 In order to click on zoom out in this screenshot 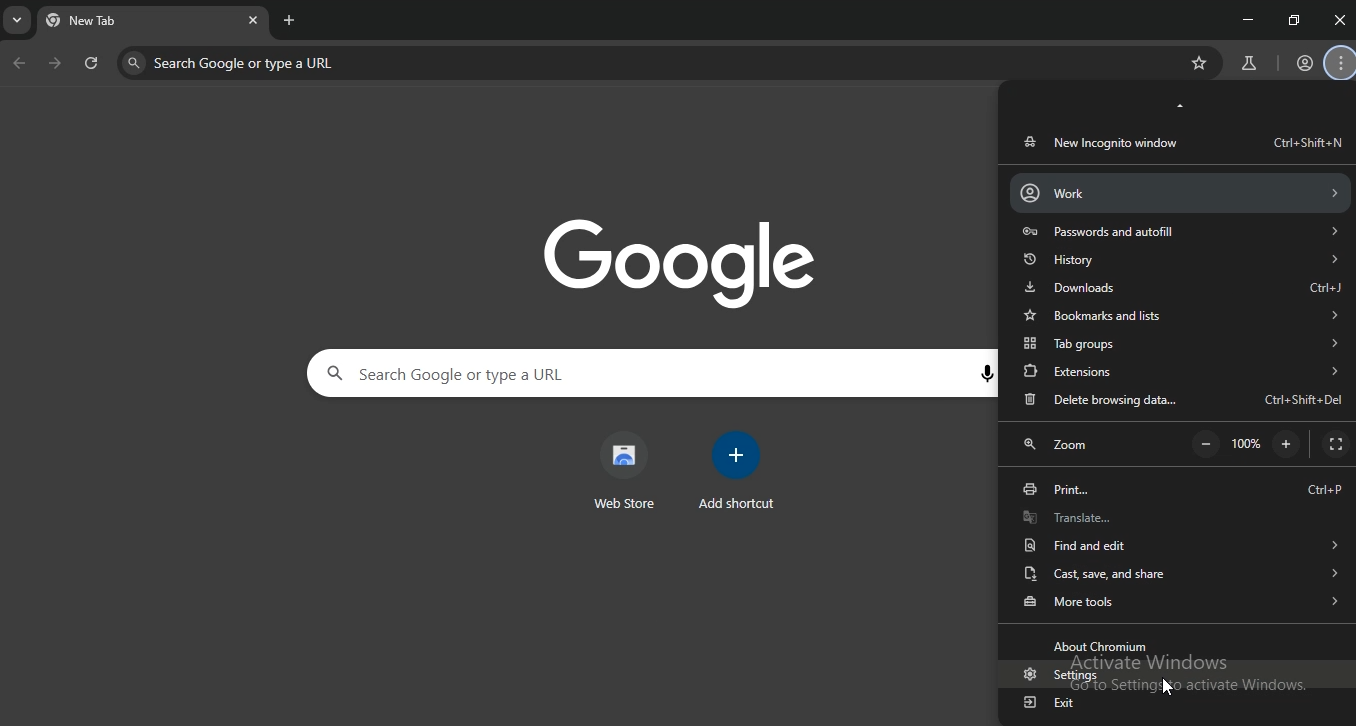, I will do `click(1206, 445)`.